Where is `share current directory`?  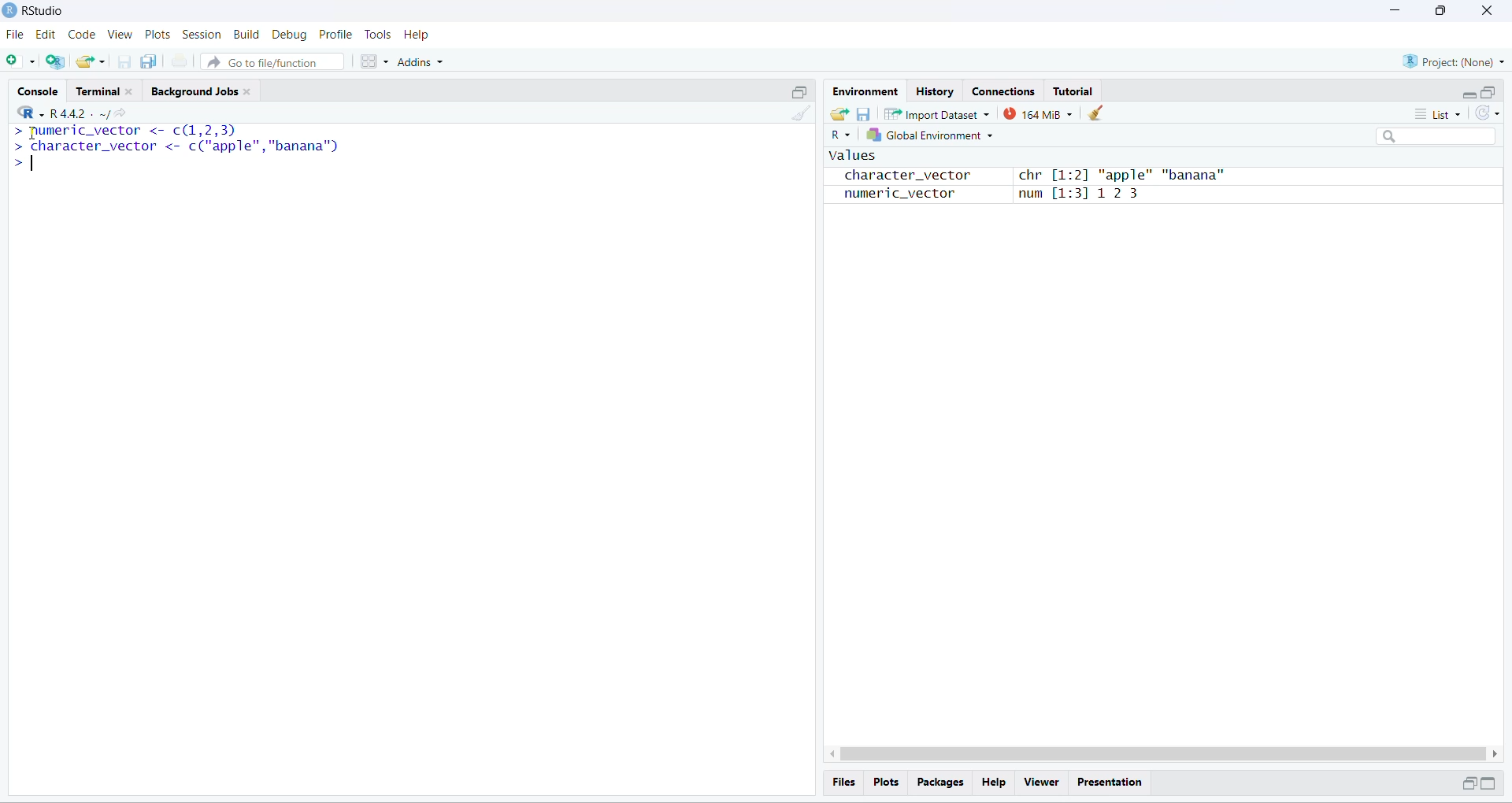
share current directory is located at coordinates (113, 116).